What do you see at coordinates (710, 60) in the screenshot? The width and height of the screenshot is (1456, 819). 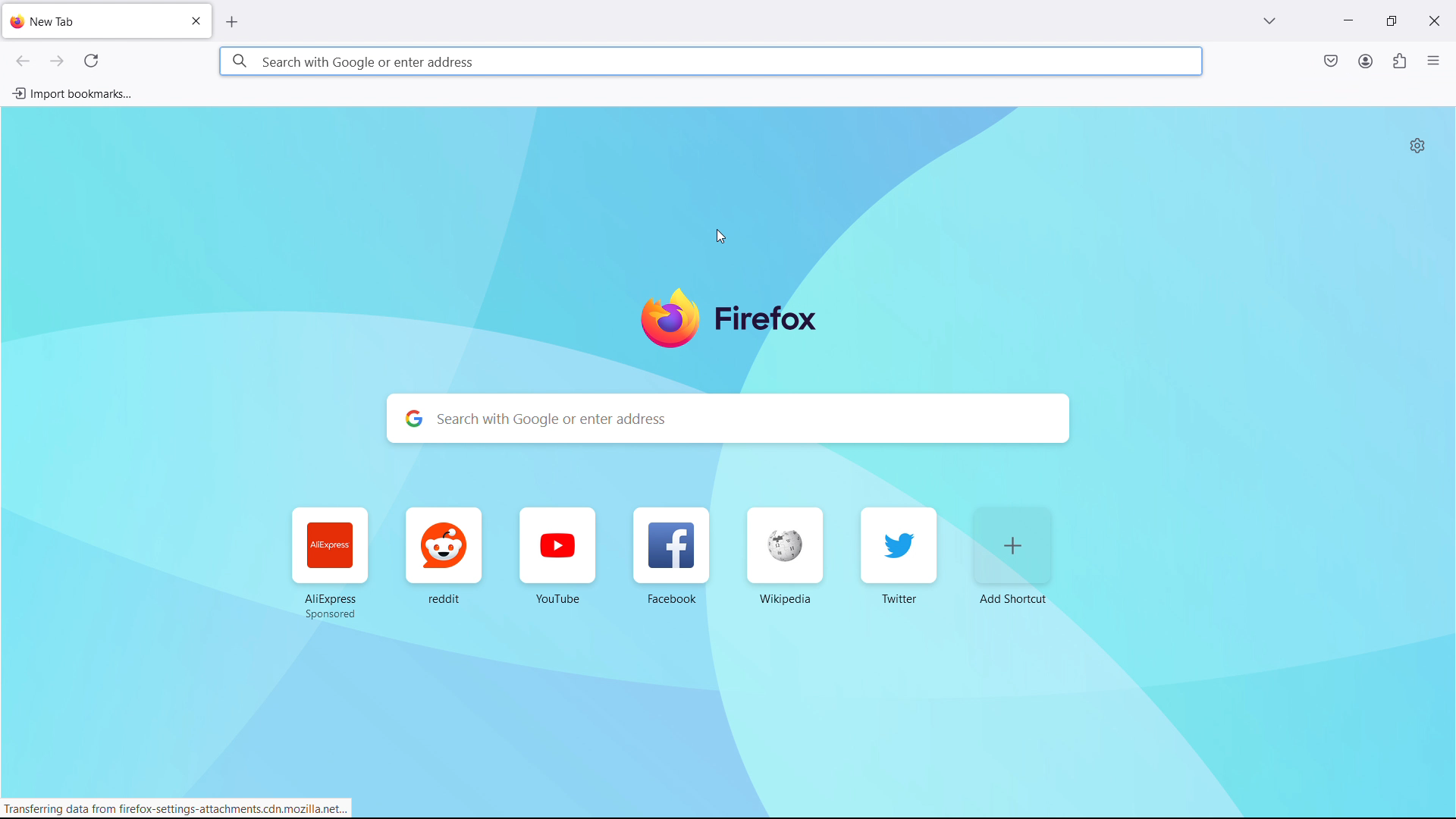 I see `search with google or enter address` at bounding box center [710, 60].